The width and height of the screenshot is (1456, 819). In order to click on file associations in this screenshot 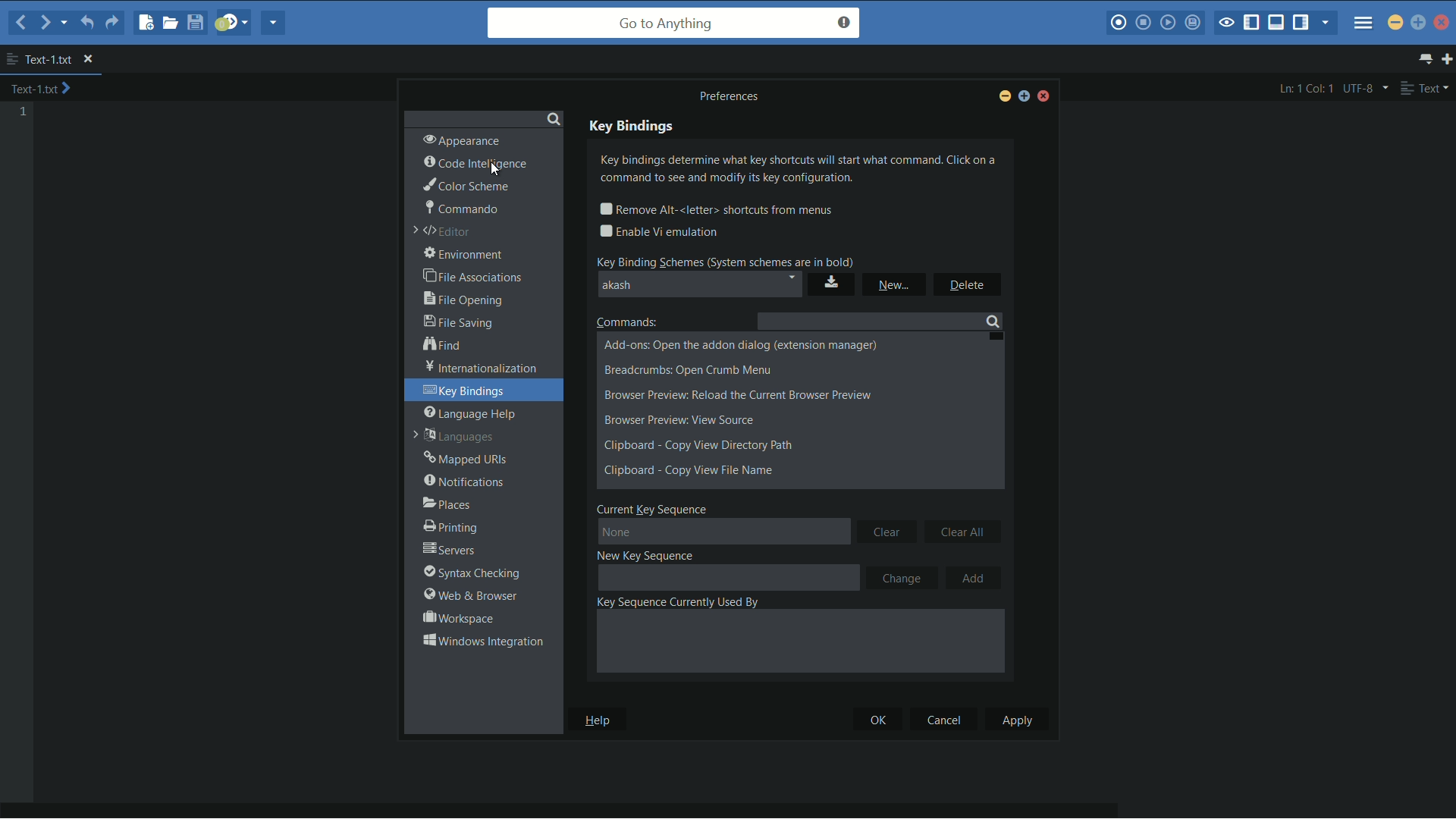, I will do `click(474, 278)`.